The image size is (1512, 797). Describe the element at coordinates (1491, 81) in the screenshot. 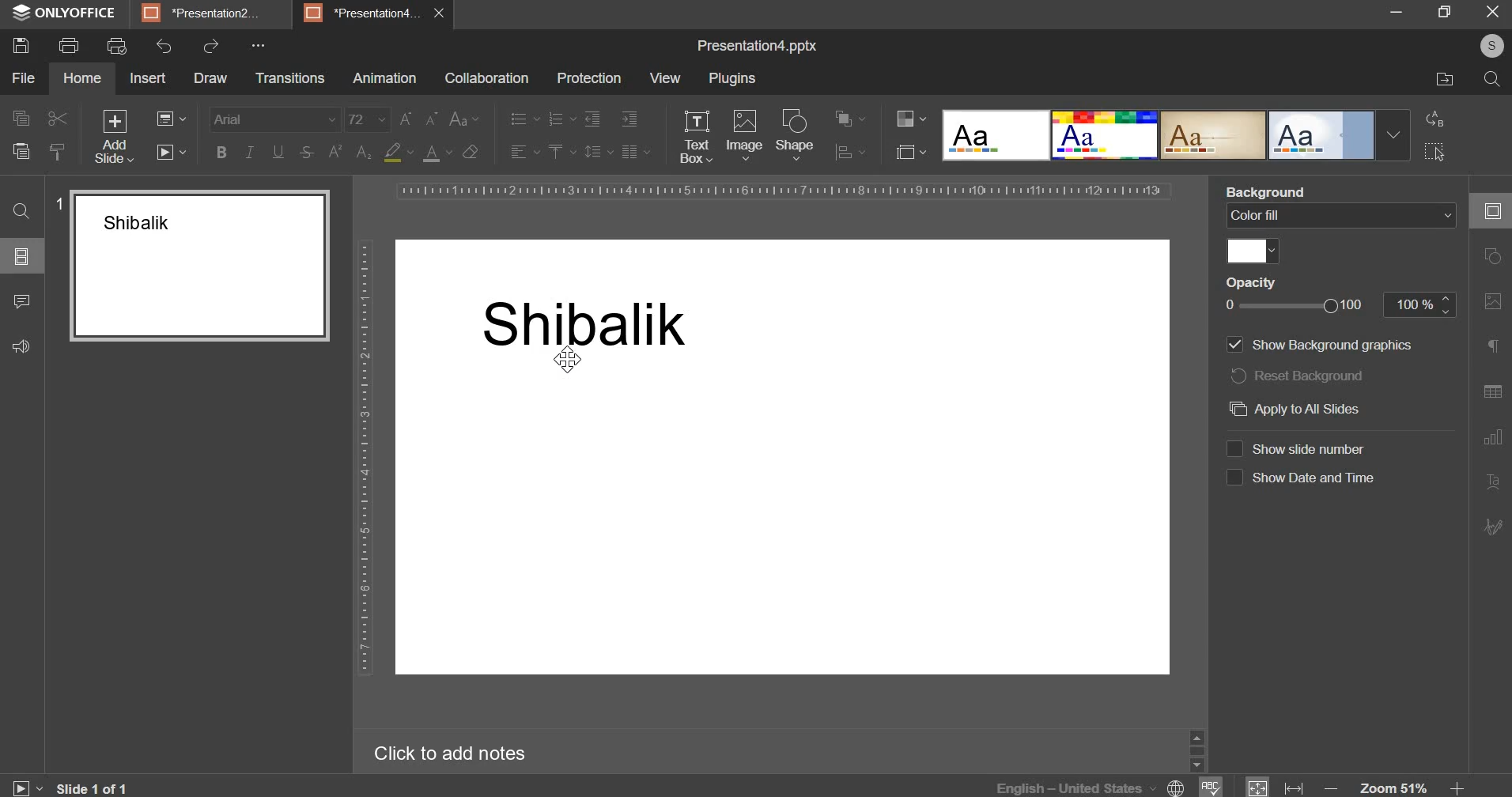

I see `Search` at that location.